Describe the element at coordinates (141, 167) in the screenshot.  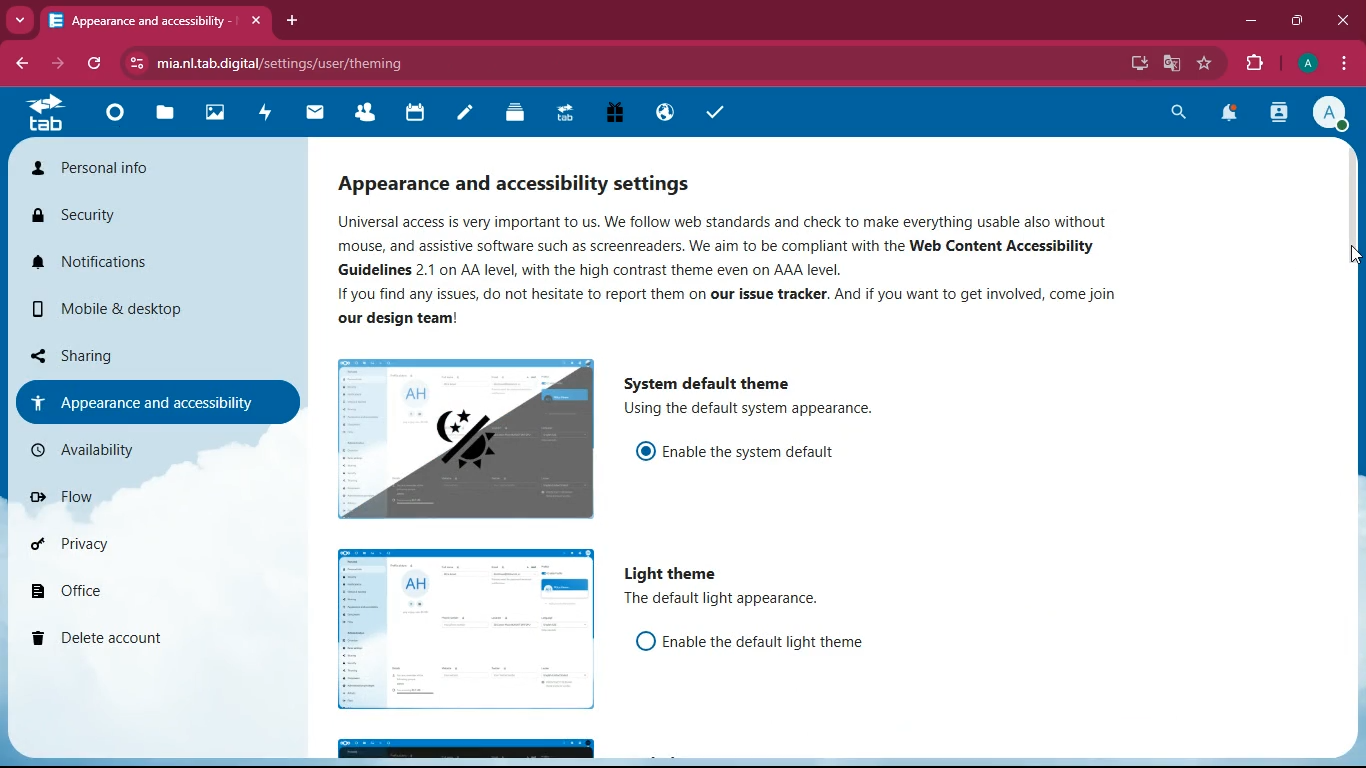
I see `personal info` at that location.